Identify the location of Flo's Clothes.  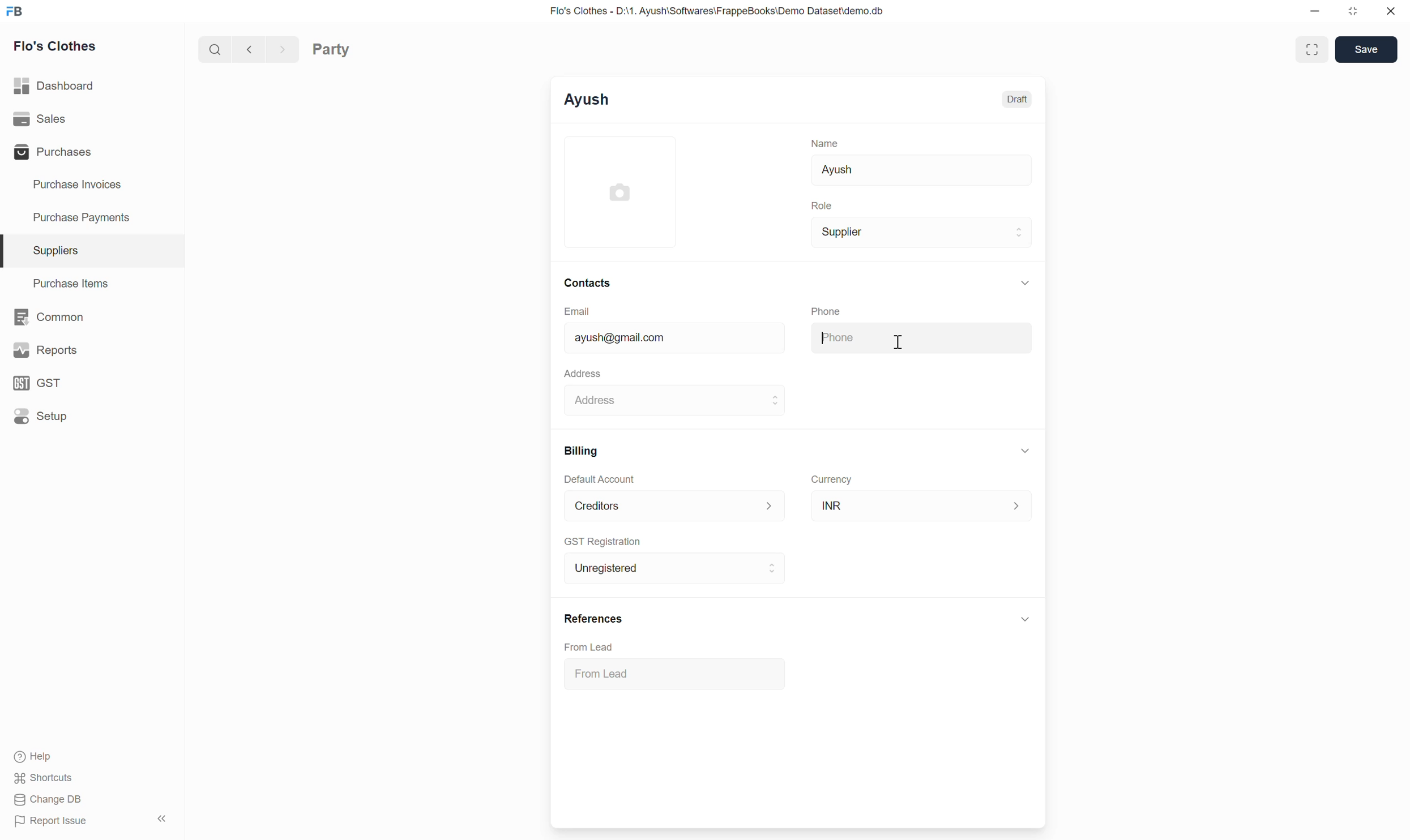
(55, 45).